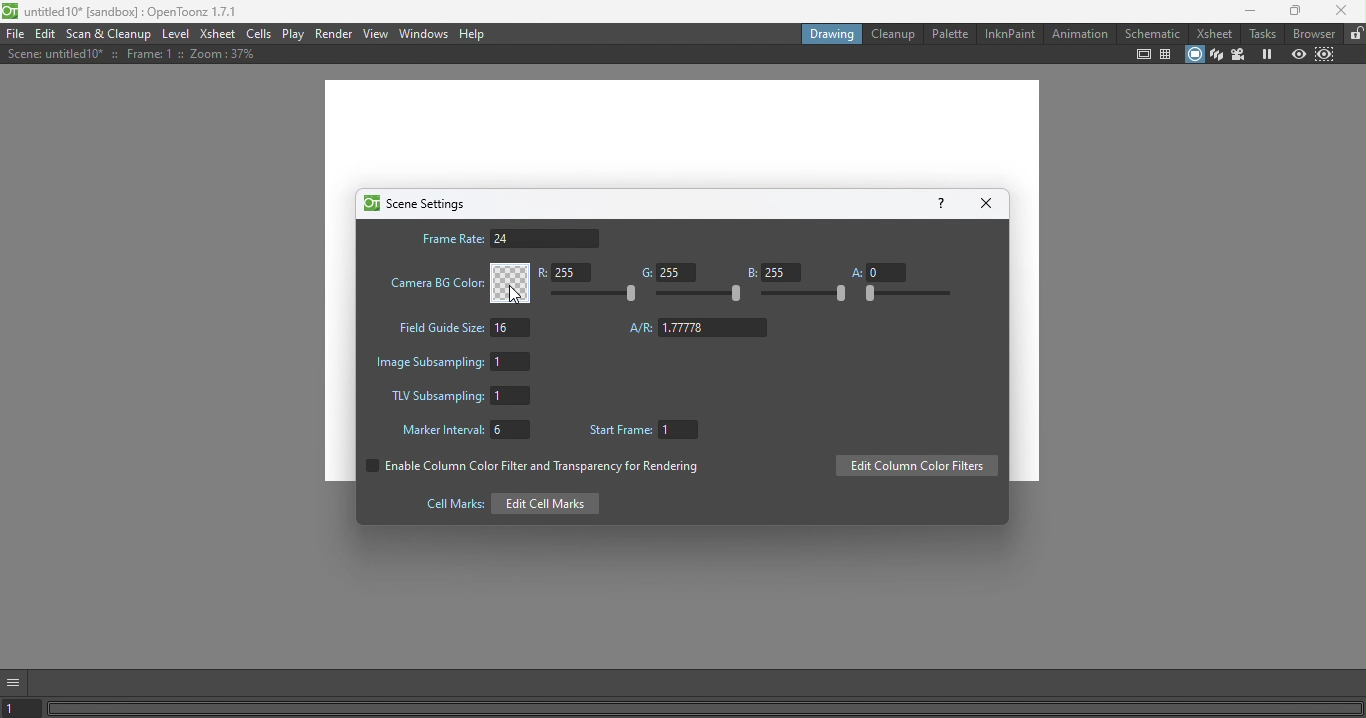 The width and height of the screenshot is (1366, 718). Describe the element at coordinates (1142, 55) in the screenshot. I see `Safe area` at that location.